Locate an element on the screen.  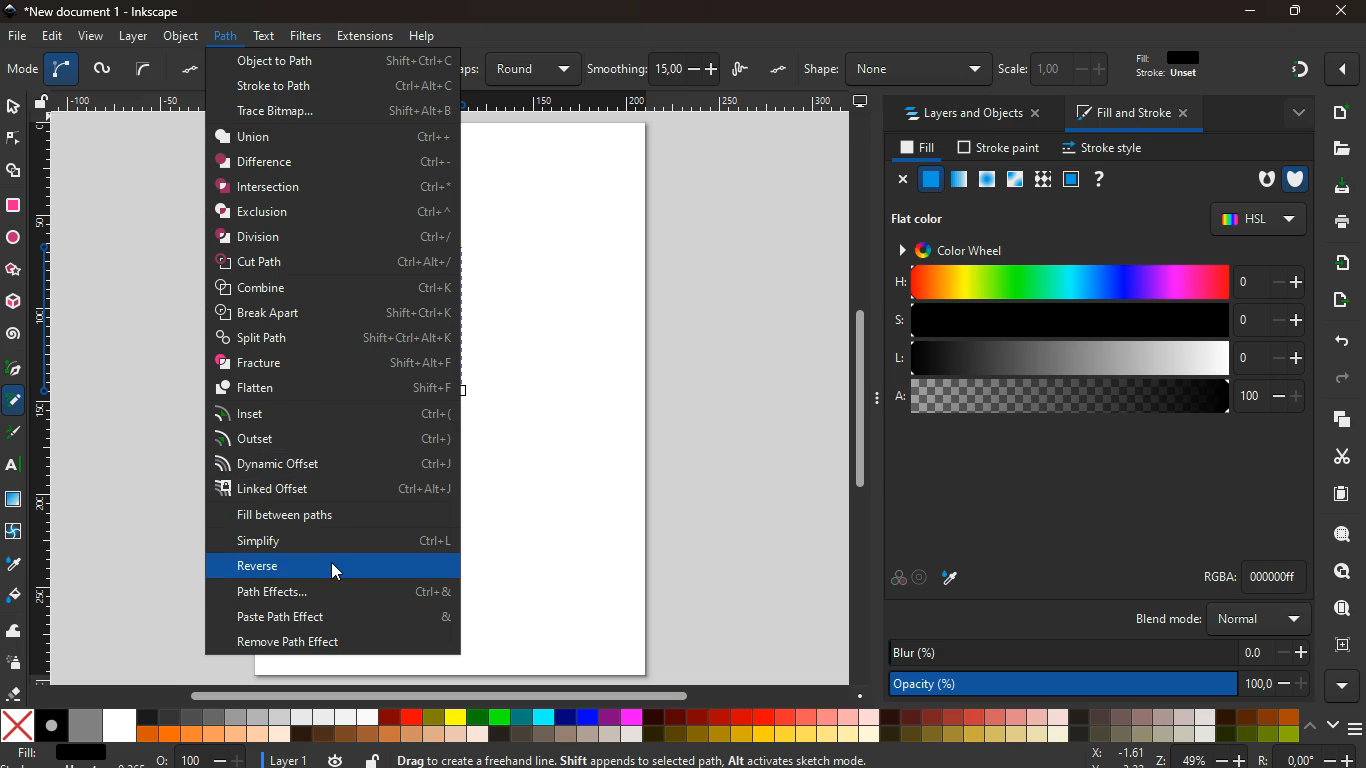
fill and stroke is located at coordinates (1135, 112).